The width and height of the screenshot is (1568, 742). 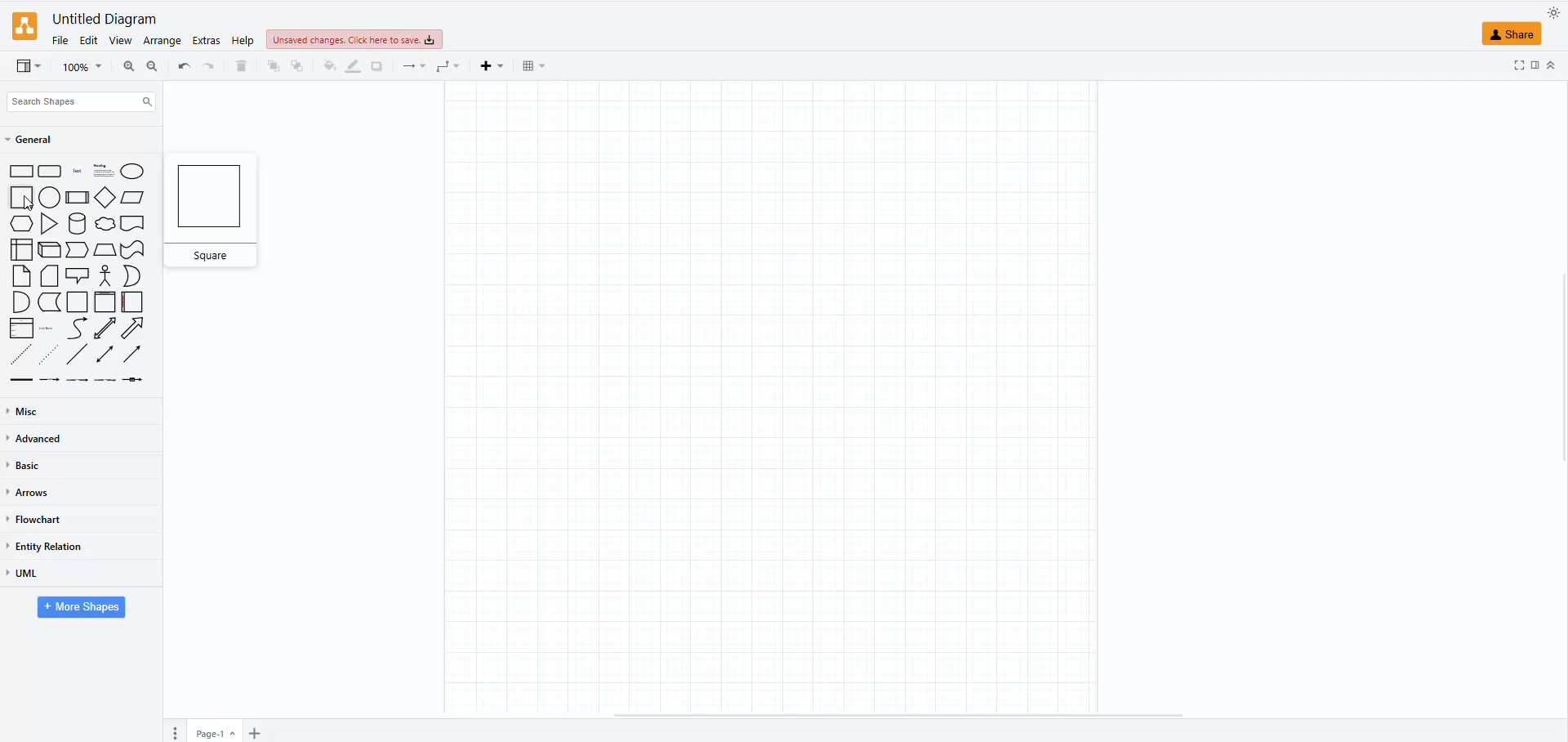 I want to click on waypoints, so click(x=454, y=65).